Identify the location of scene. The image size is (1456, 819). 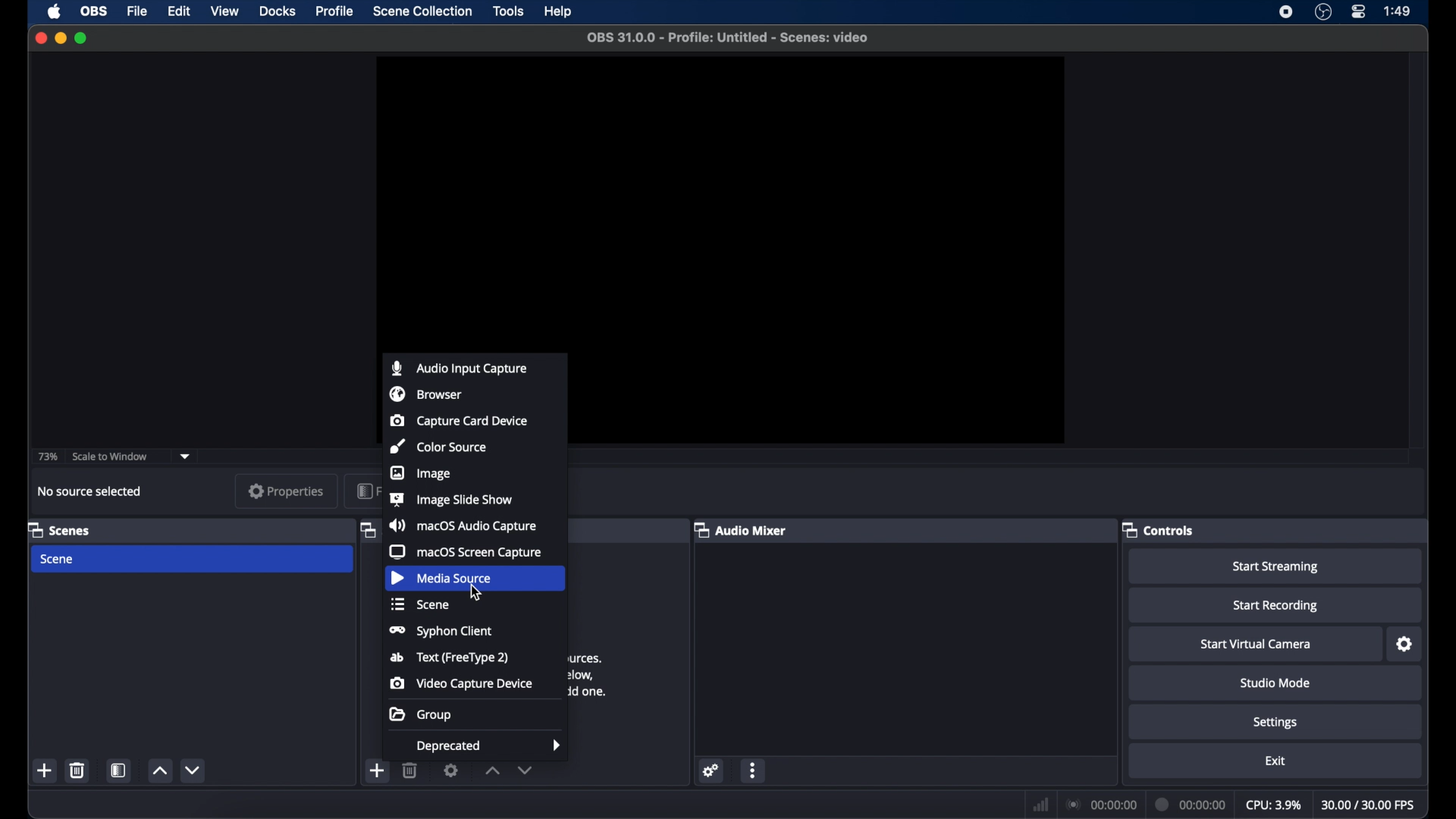
(59, 560).